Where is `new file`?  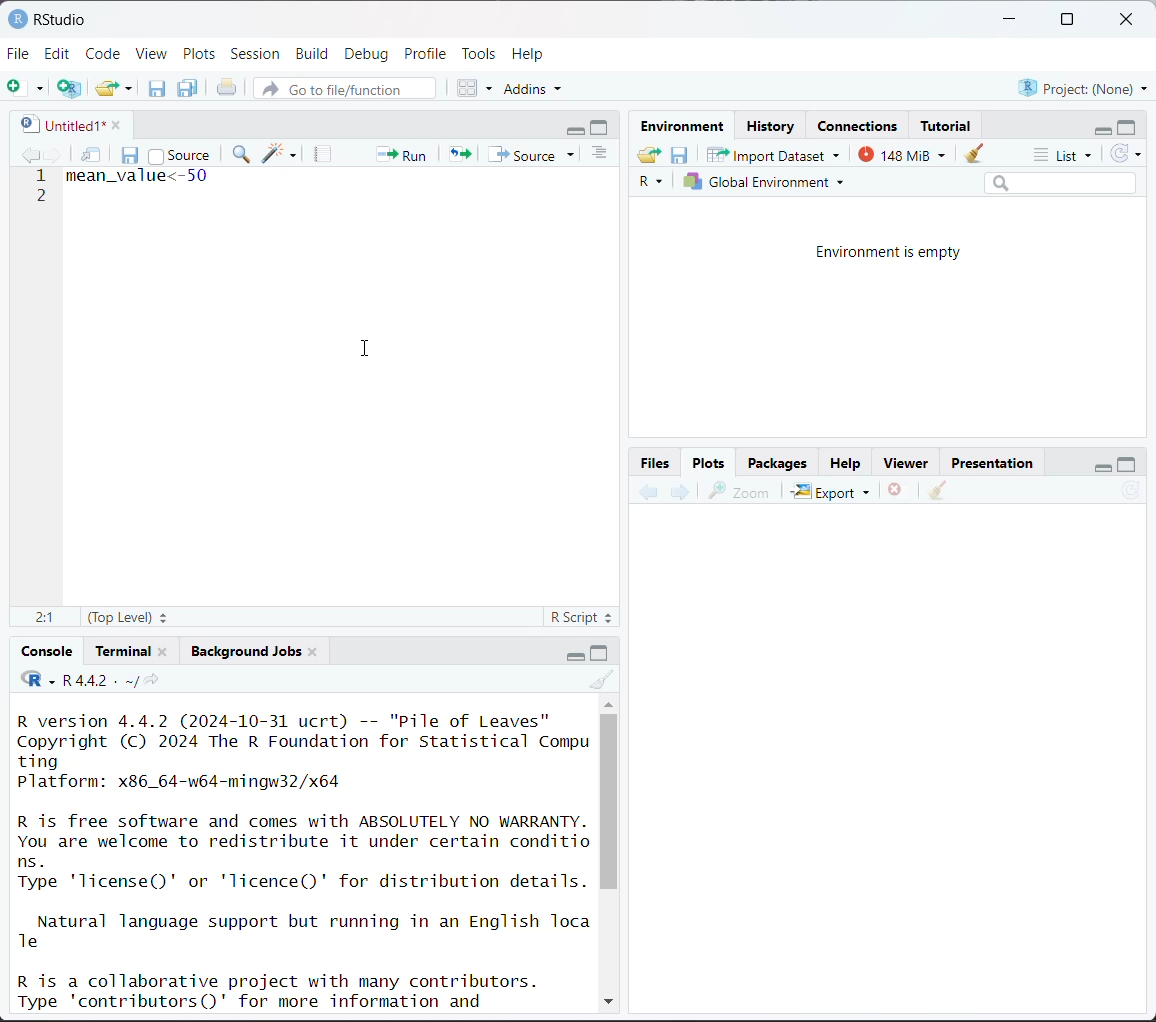 new file is located at coordinates (25, 88).